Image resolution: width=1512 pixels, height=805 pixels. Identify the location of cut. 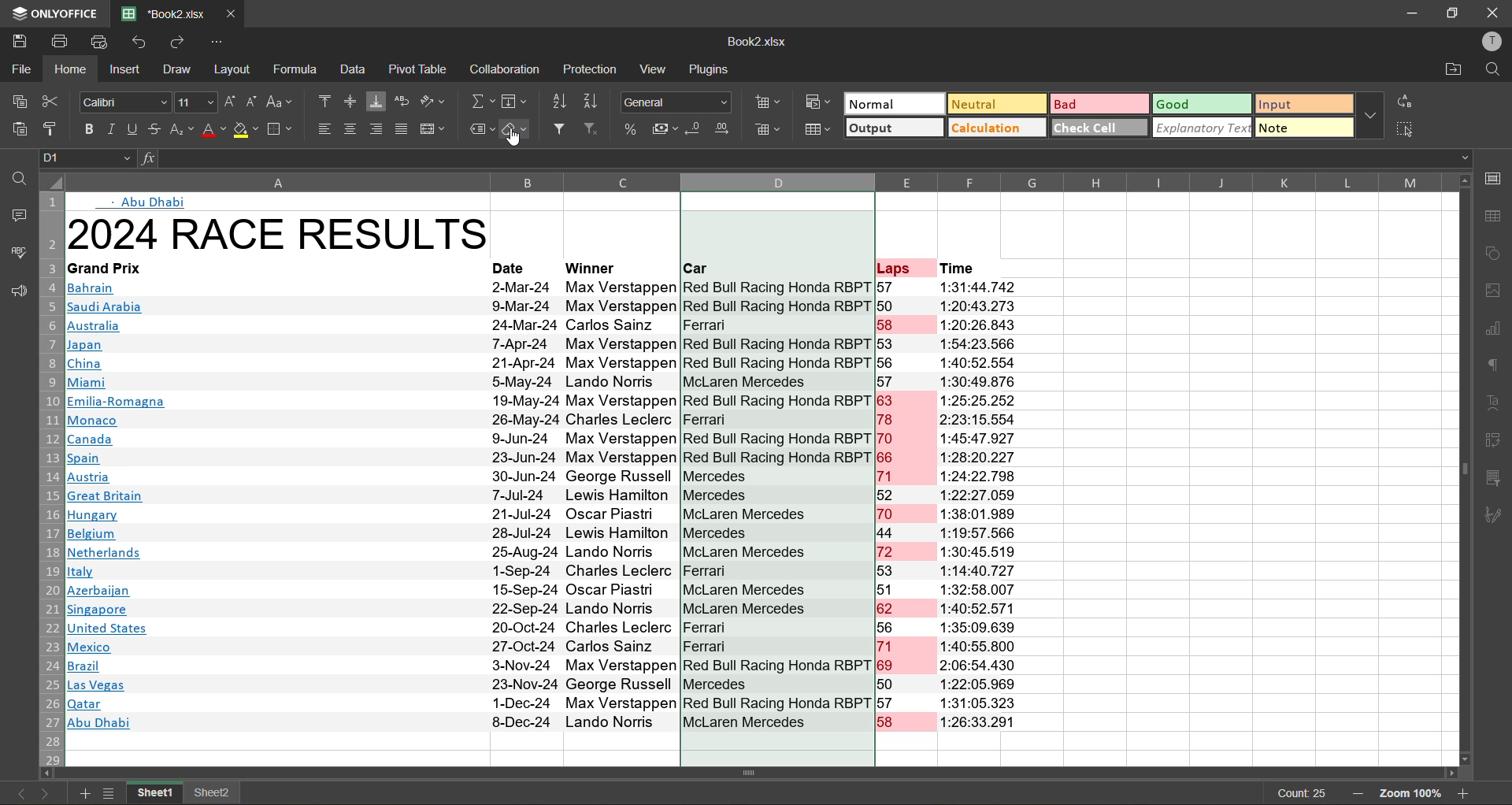
(51, 102).